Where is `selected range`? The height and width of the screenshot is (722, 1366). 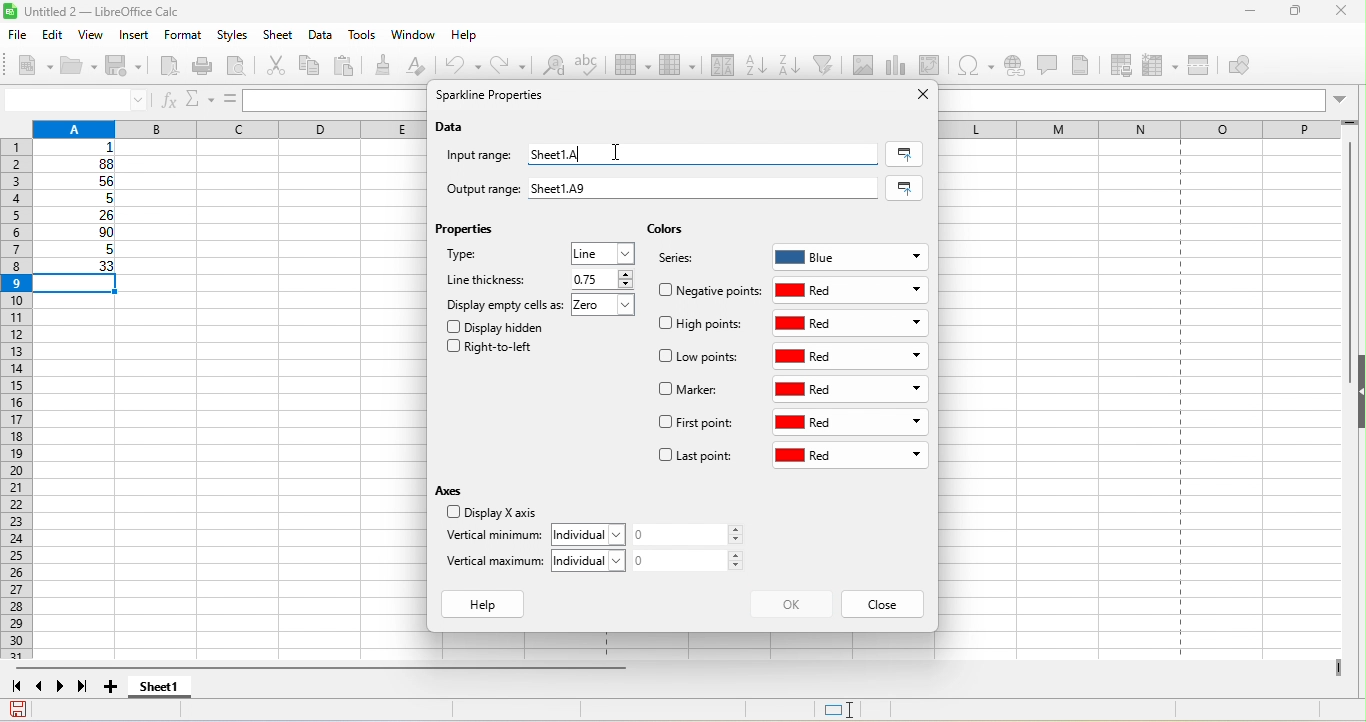 selected range is located at coordinates (904, 154).